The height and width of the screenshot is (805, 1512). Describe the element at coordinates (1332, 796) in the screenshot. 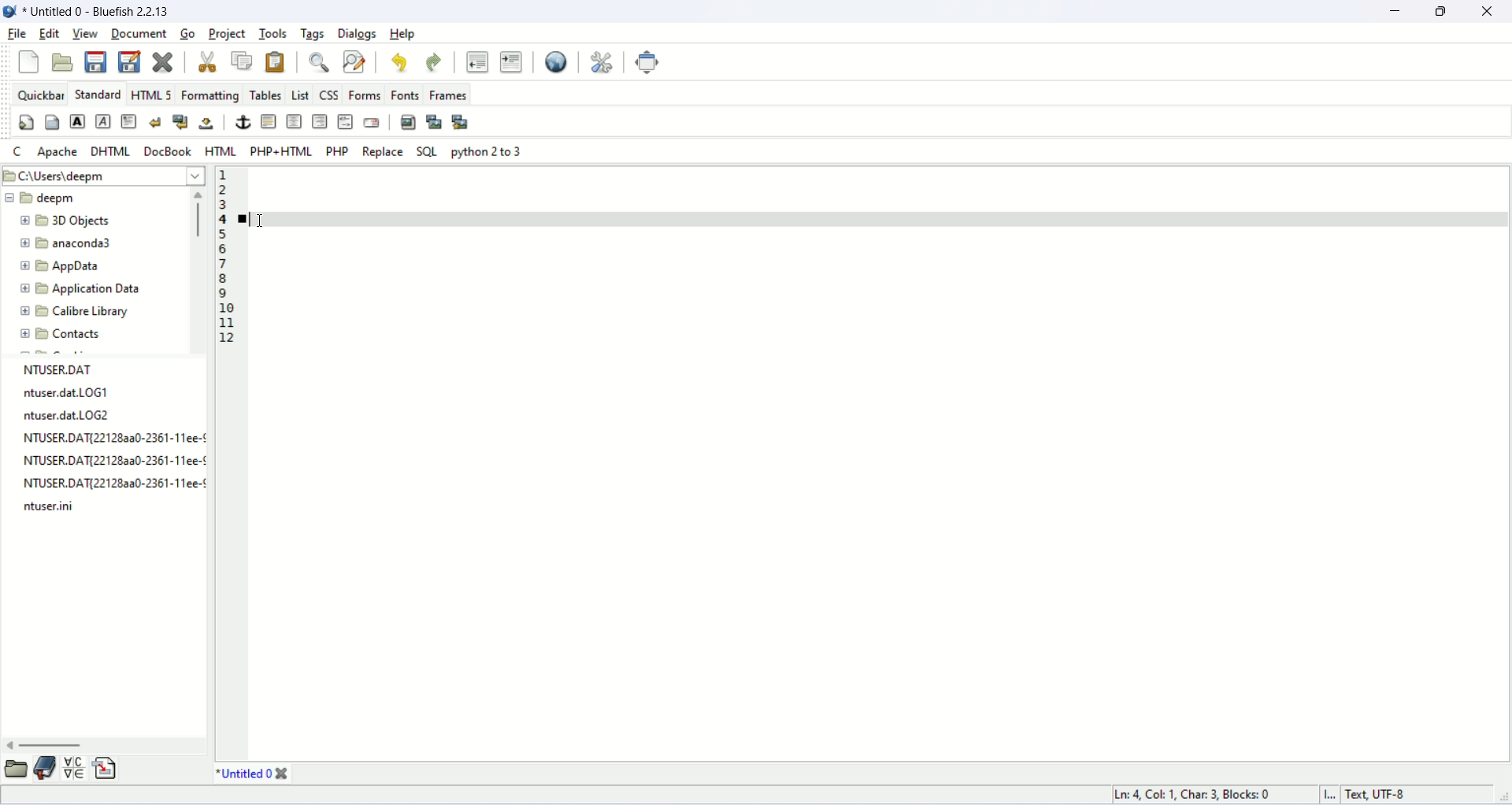

I see `I` at that location.